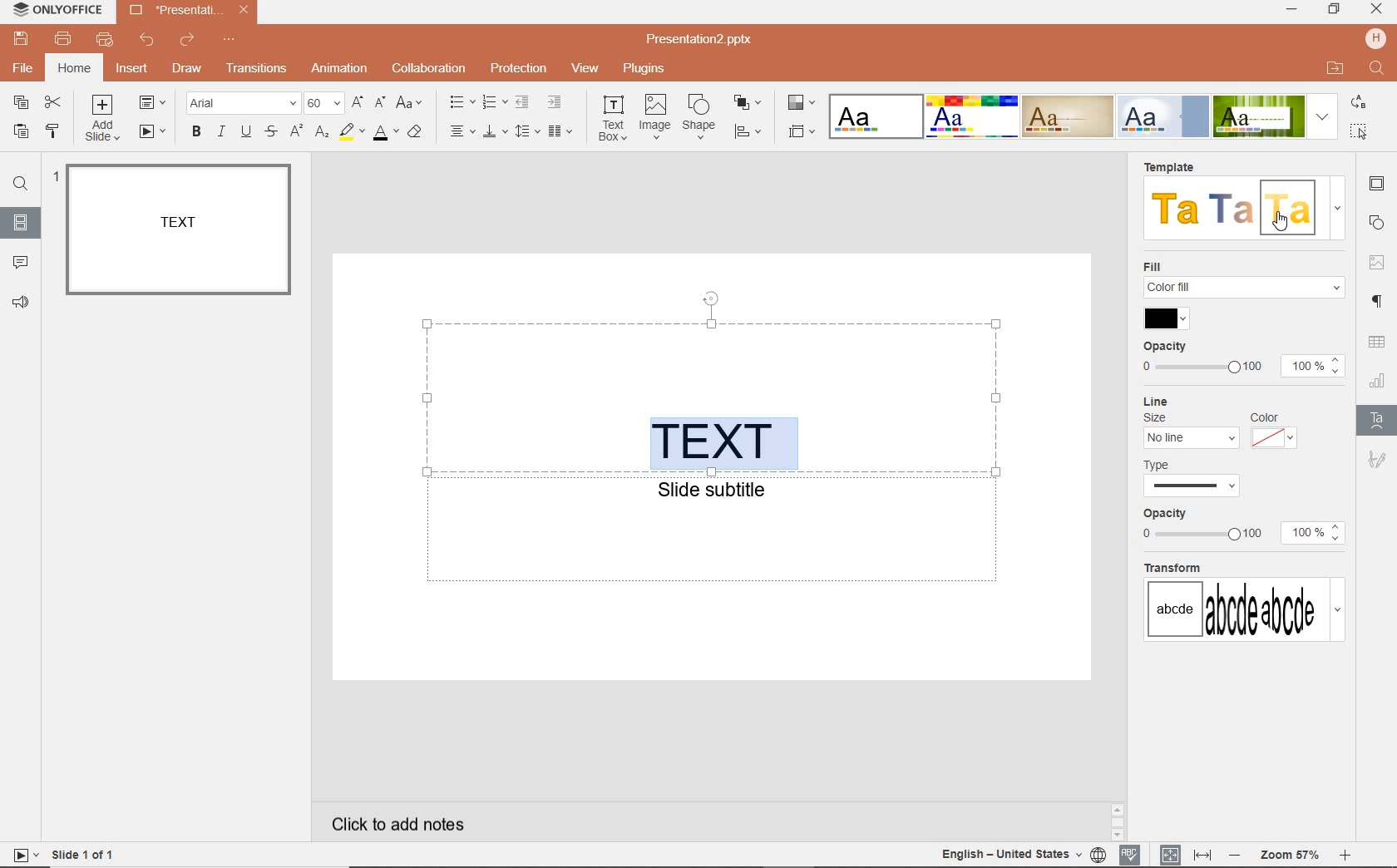  I want to click on CHART SETTINGS, so click(1378, 379).